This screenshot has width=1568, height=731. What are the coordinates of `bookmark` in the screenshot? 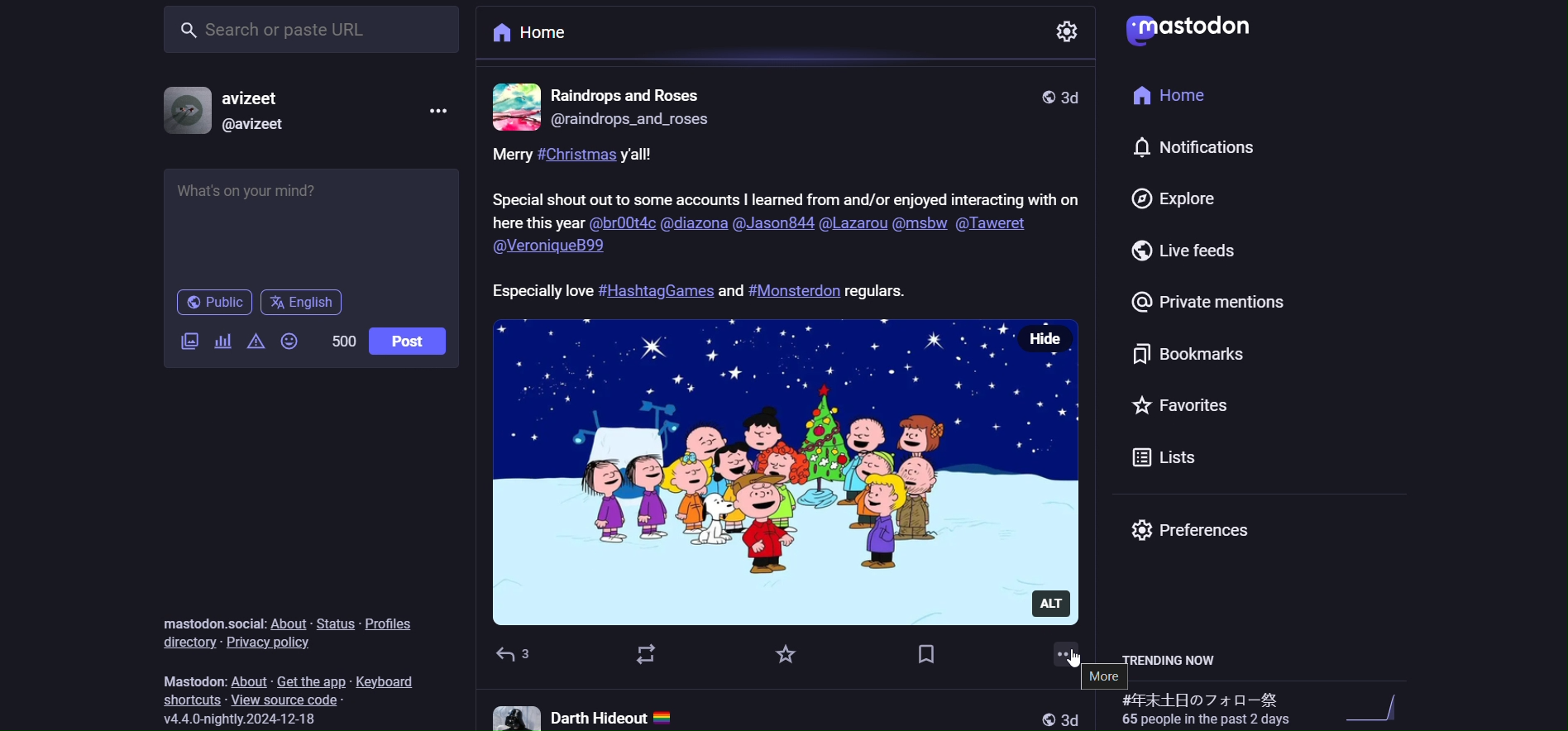 It's located at (927, 657).